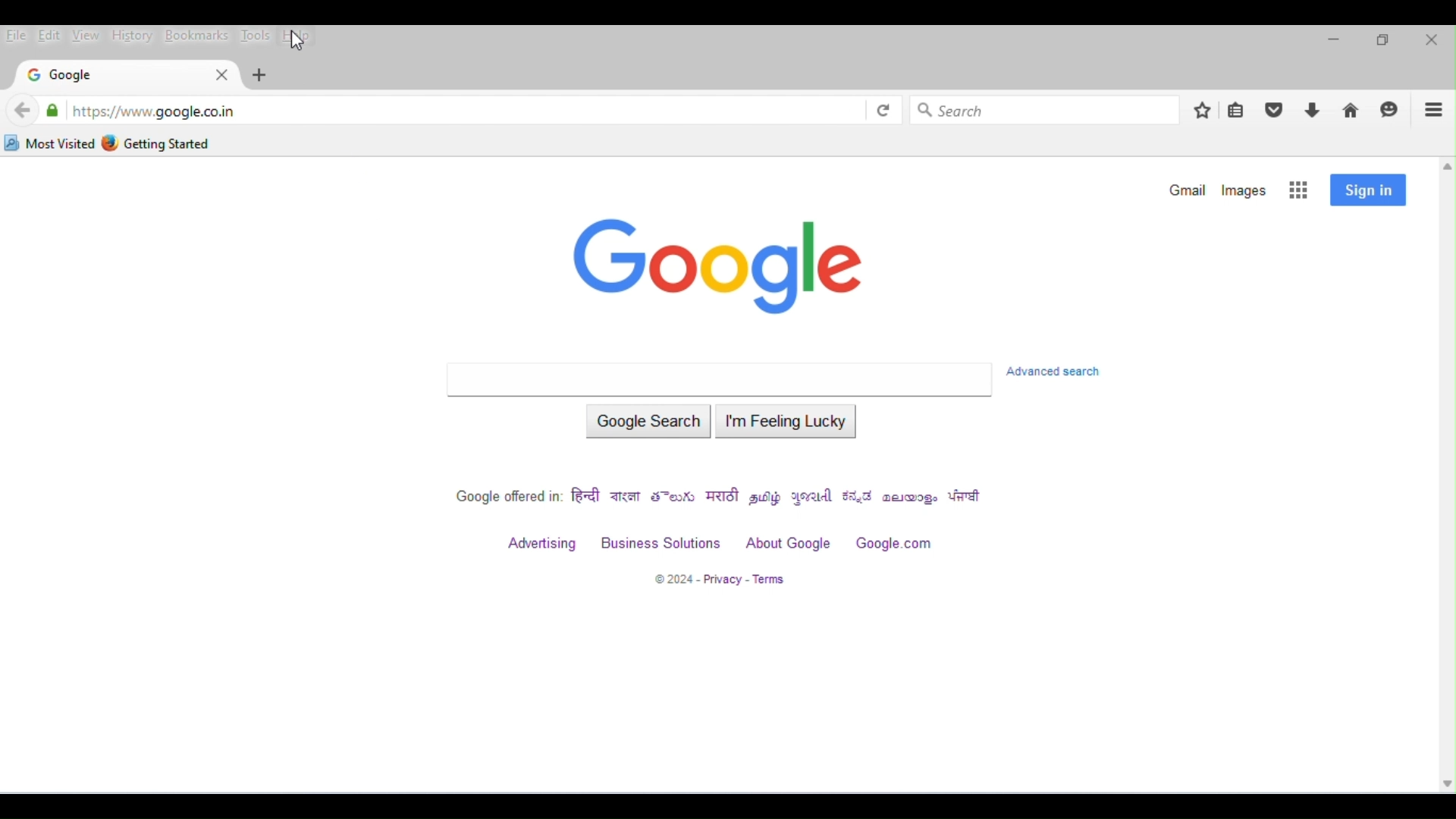 The image size is (1456, 819). I want to click on history, so click(130, 35).